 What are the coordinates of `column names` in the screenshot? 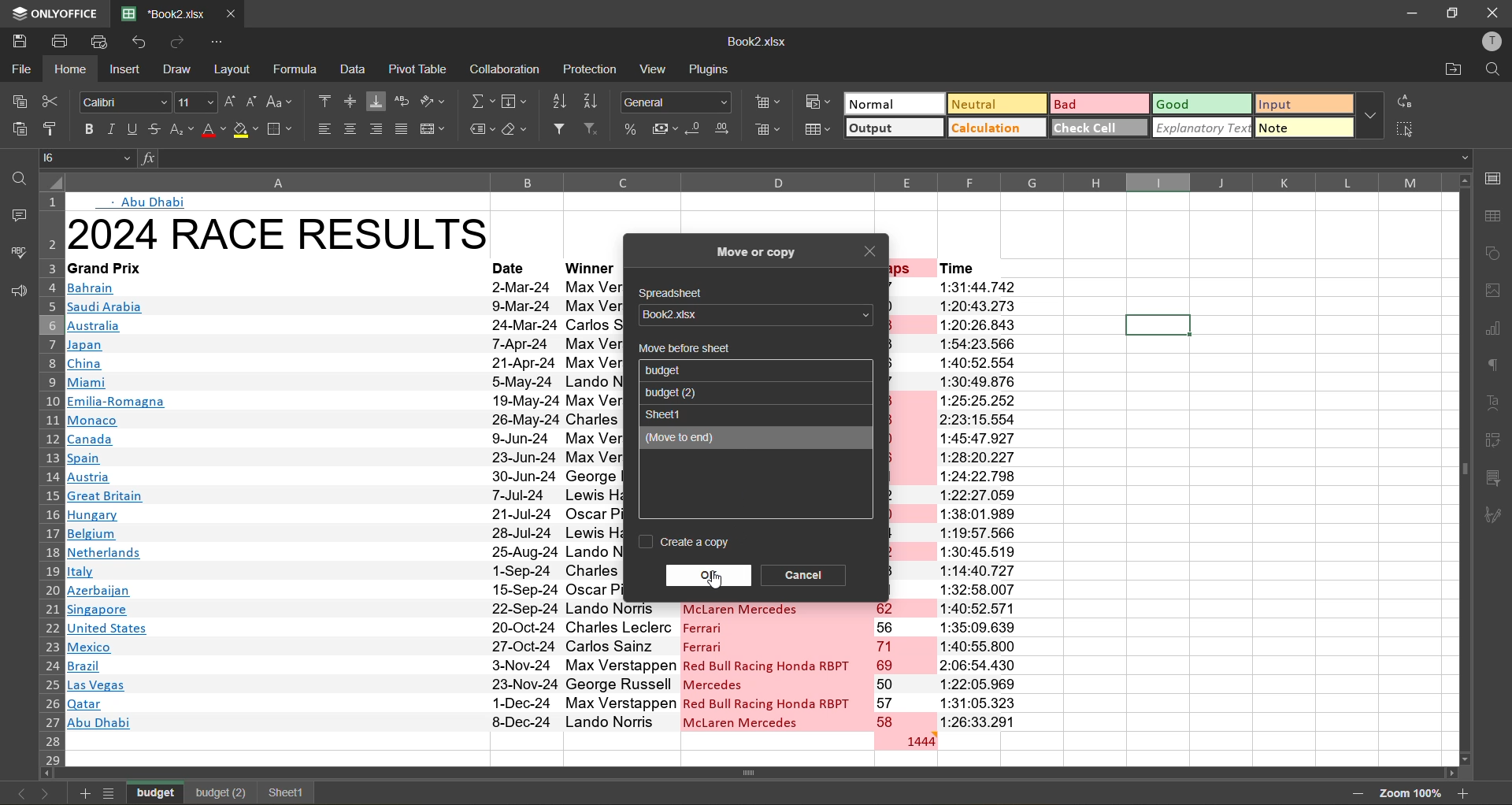 It's located at (750, 182).